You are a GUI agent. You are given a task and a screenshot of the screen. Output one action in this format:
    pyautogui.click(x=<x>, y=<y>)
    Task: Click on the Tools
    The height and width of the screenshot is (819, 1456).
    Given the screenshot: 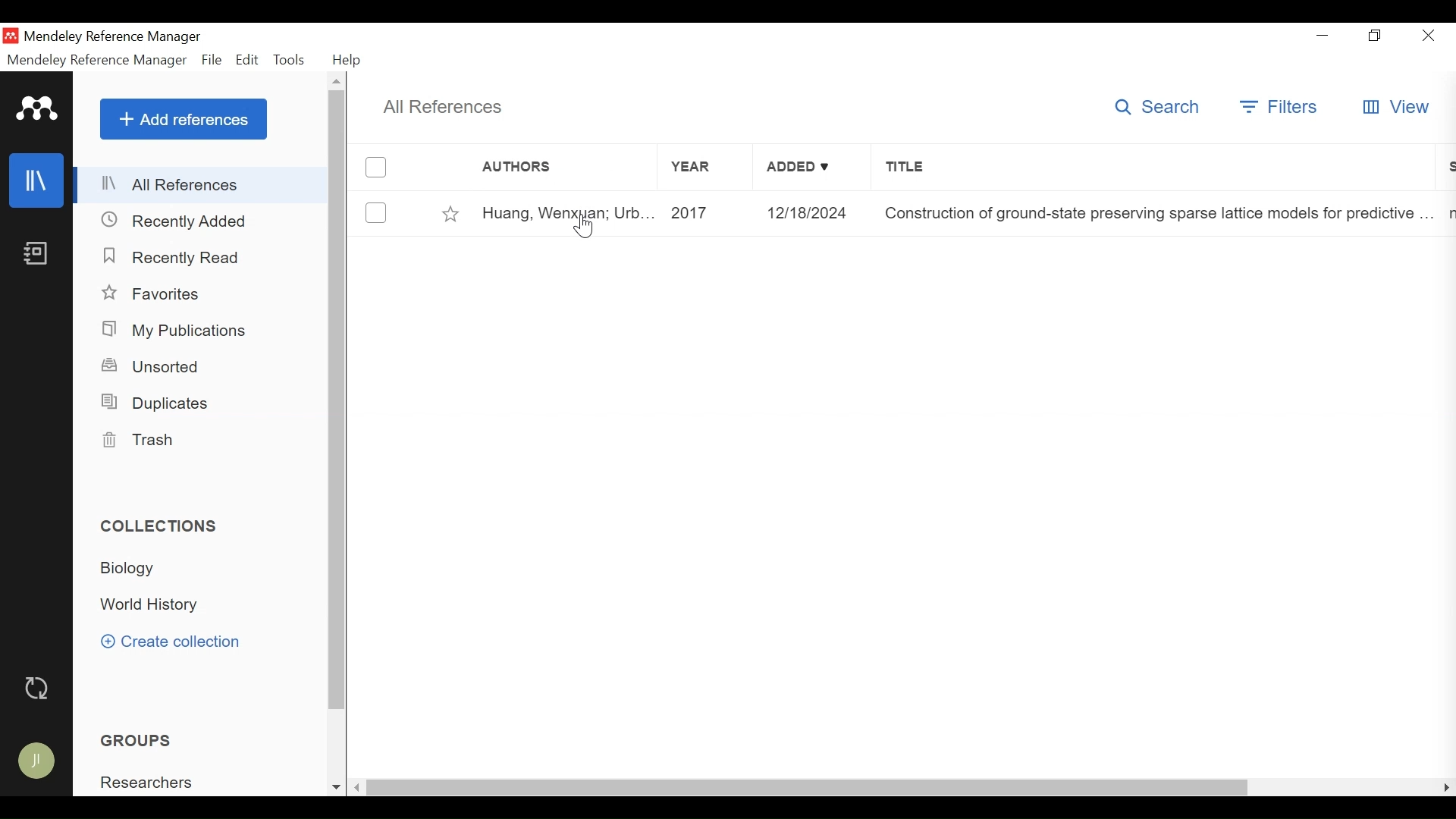 What is the action you would take?
    pyautogui.click(x=290, y=60)
    